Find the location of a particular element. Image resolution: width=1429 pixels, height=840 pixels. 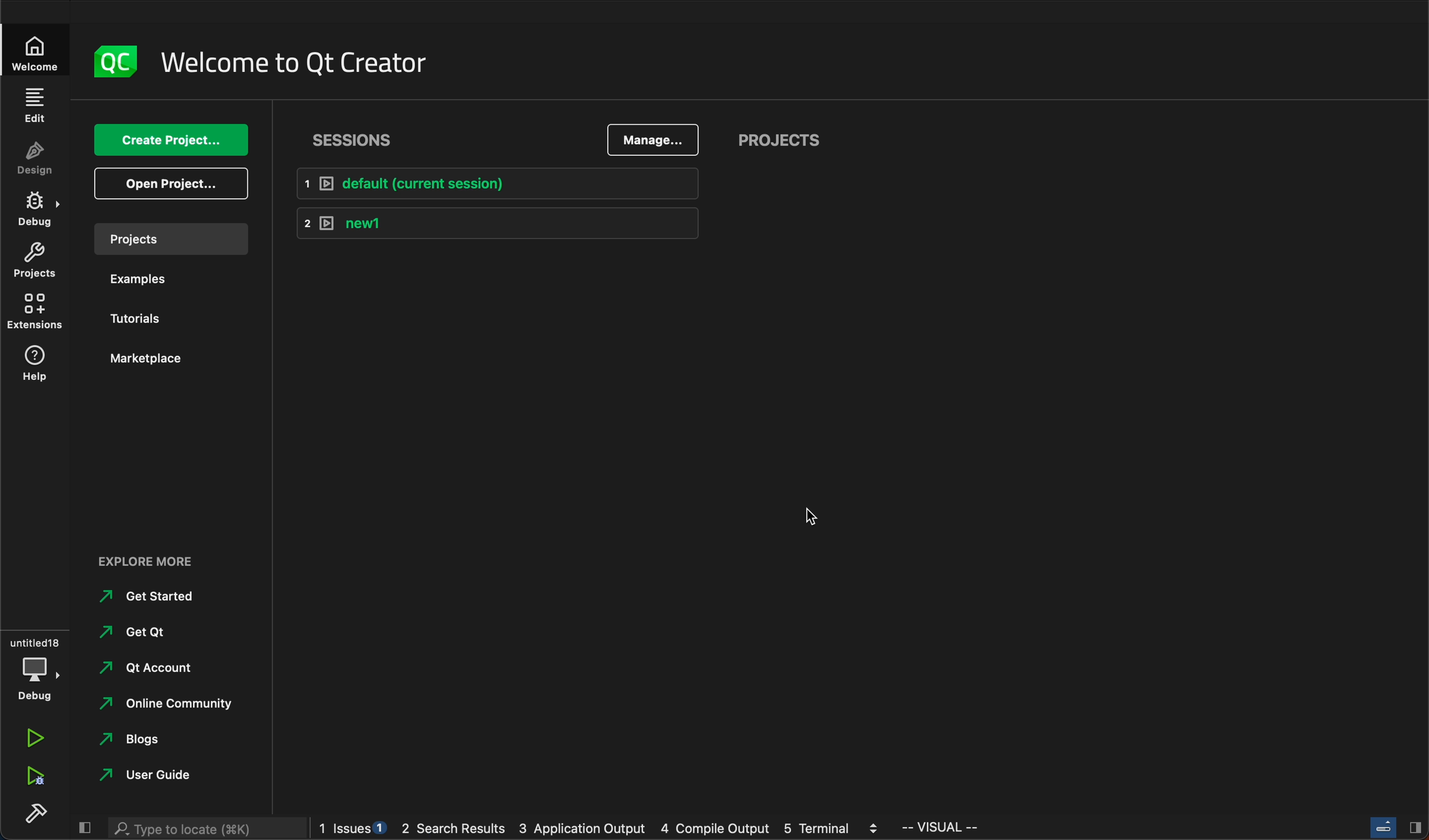

tutorials is located at coordinates (149, 317).